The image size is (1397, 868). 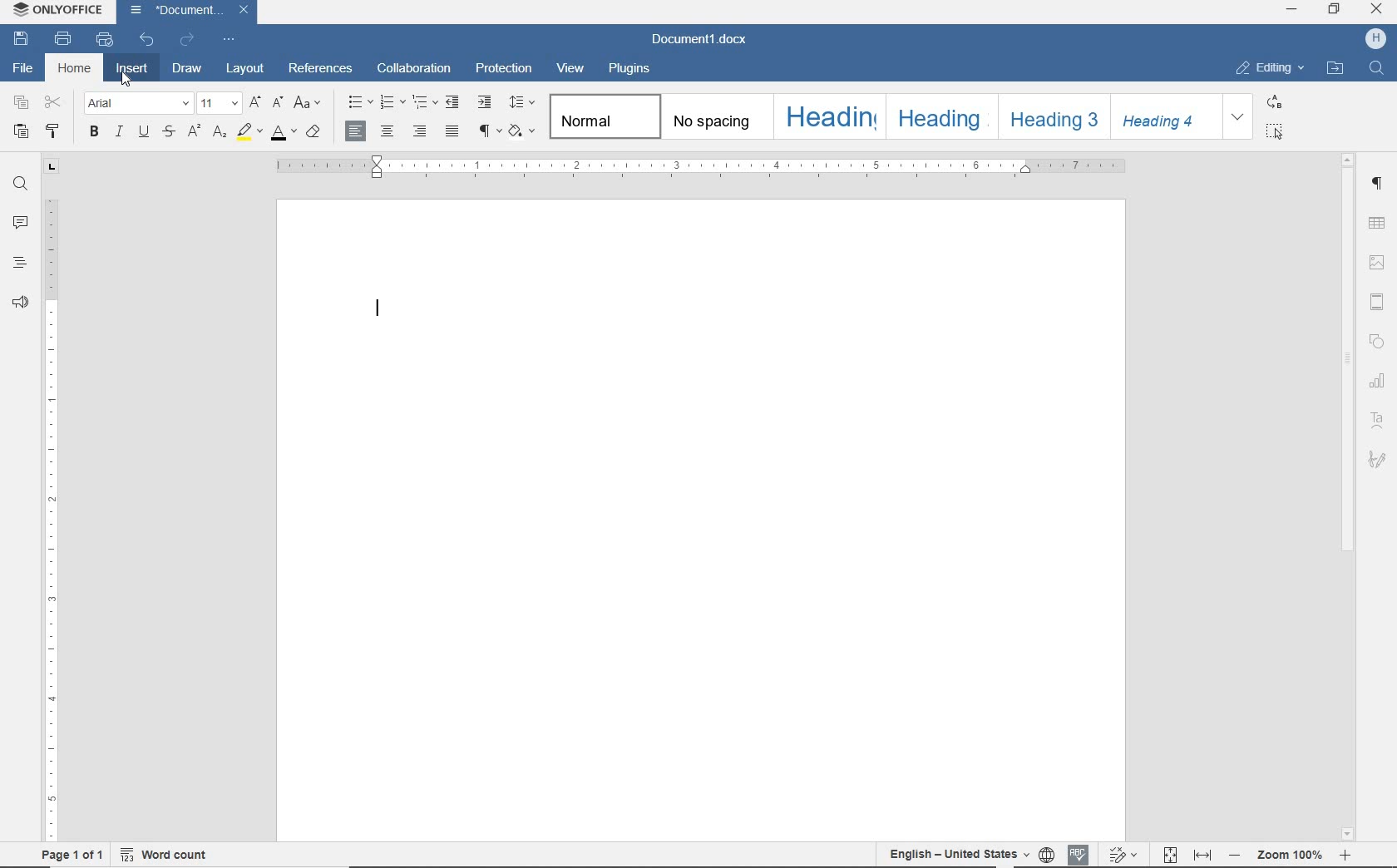 What do you see at coordinates (19, 104) in the screenshot?
I see `copy` at bounding box center [19, 104].